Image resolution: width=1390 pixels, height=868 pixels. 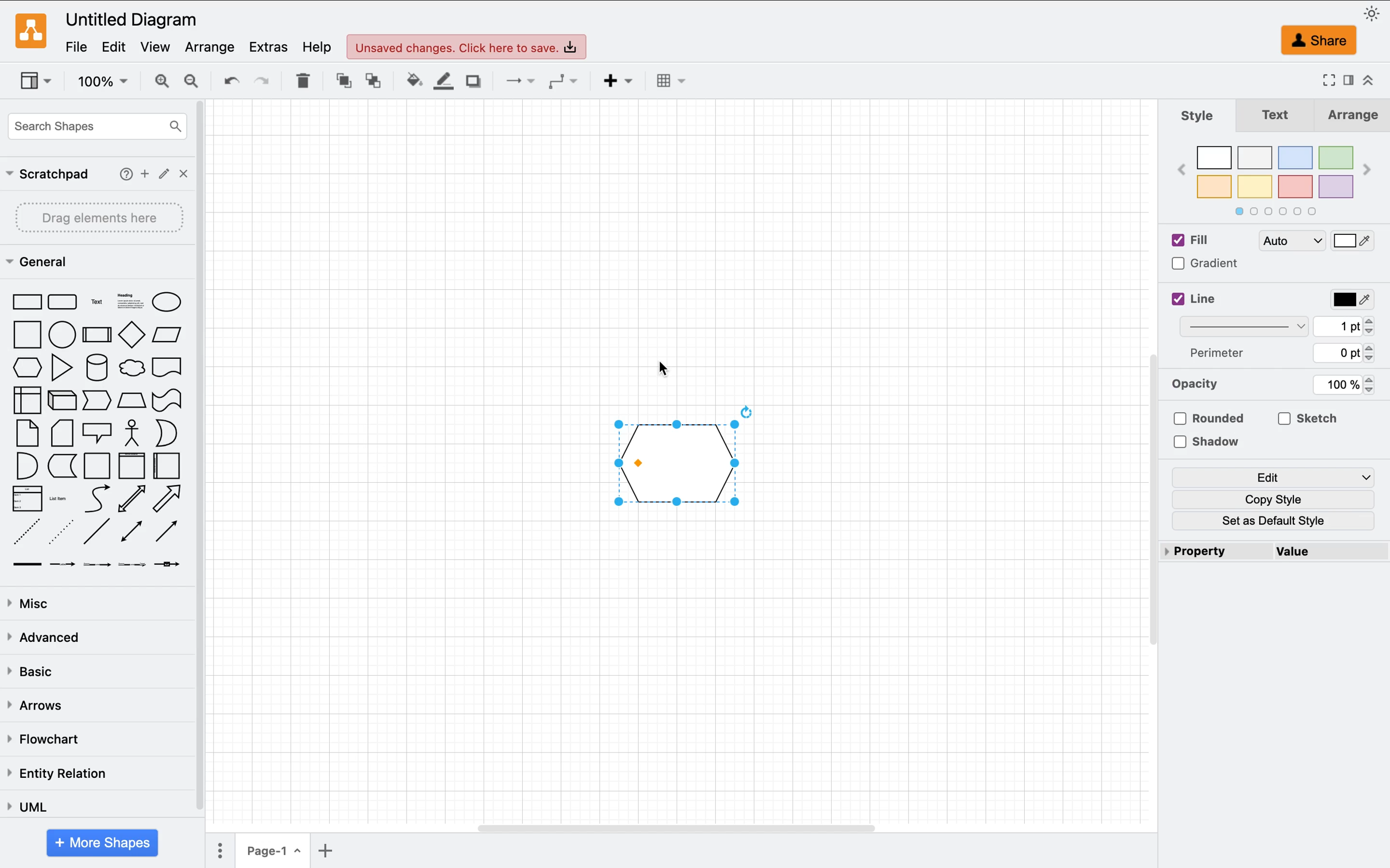 I want to click on arrows, so click(x=33, y=704).